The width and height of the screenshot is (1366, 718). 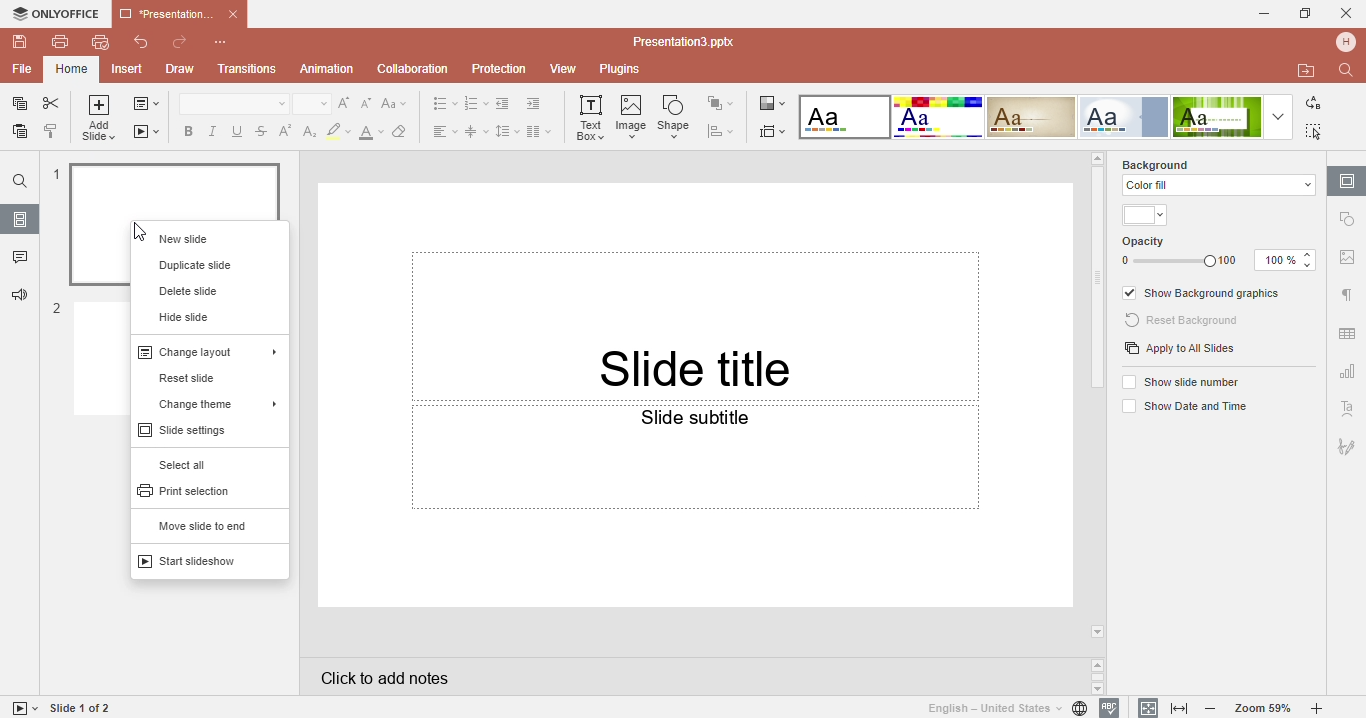 I want to click on Bold, so click(x=185, y=129).